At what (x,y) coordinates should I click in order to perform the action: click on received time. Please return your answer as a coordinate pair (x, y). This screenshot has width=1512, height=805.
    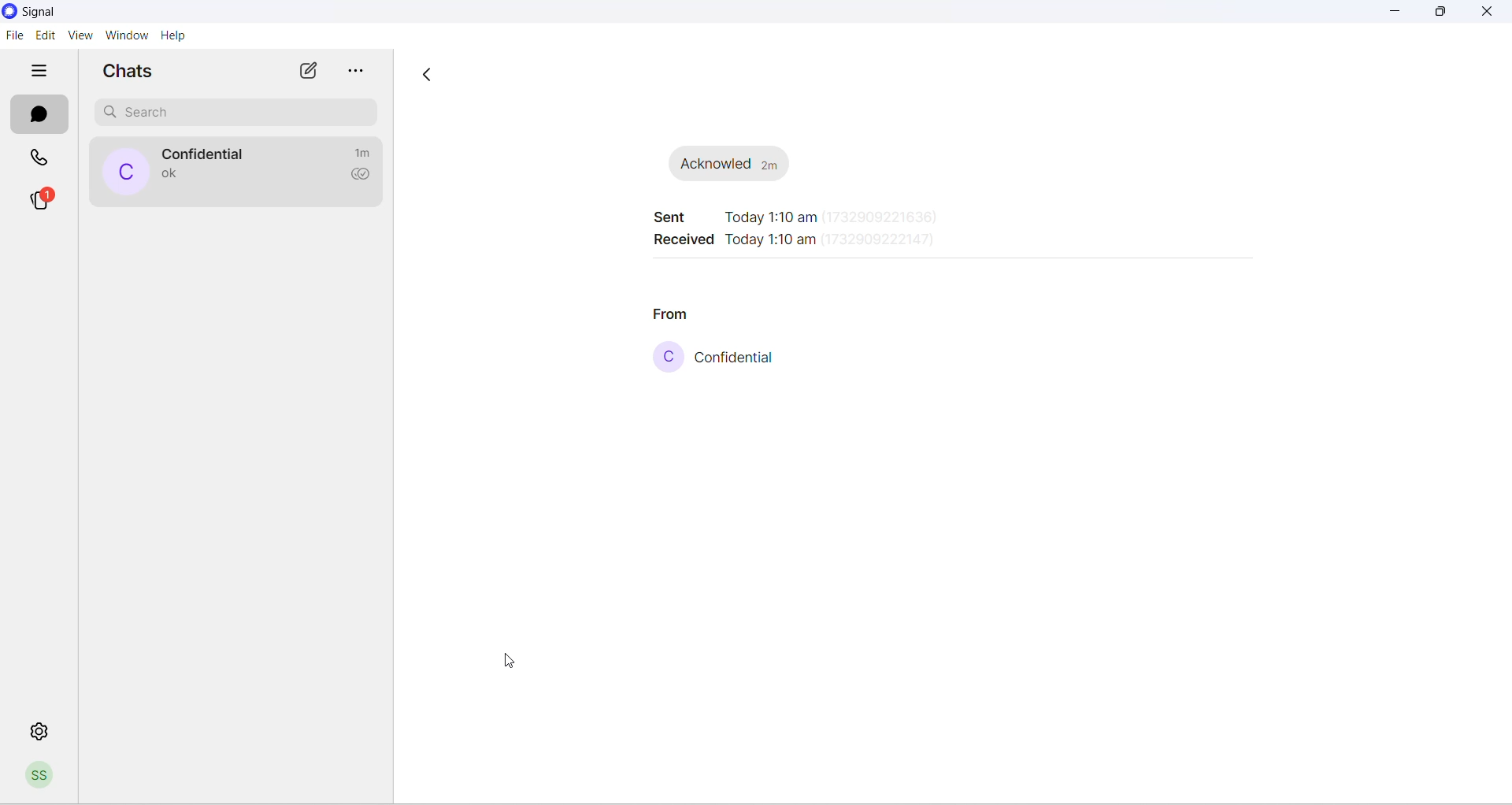
    Looking at the image, I should click on (788, 238).